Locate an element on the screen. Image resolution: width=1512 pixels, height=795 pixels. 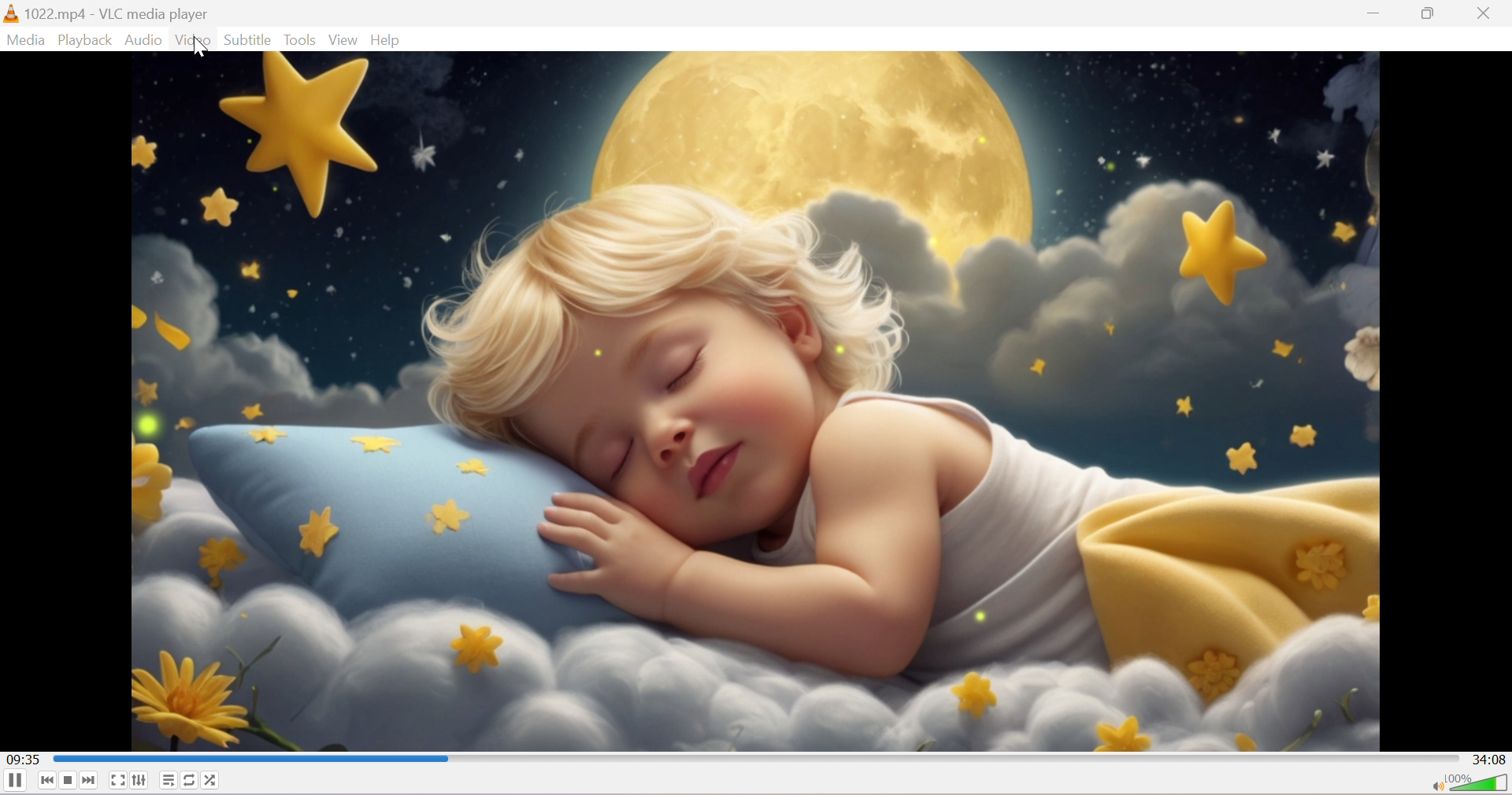
Subtitles is located at coordinates (248, 40).